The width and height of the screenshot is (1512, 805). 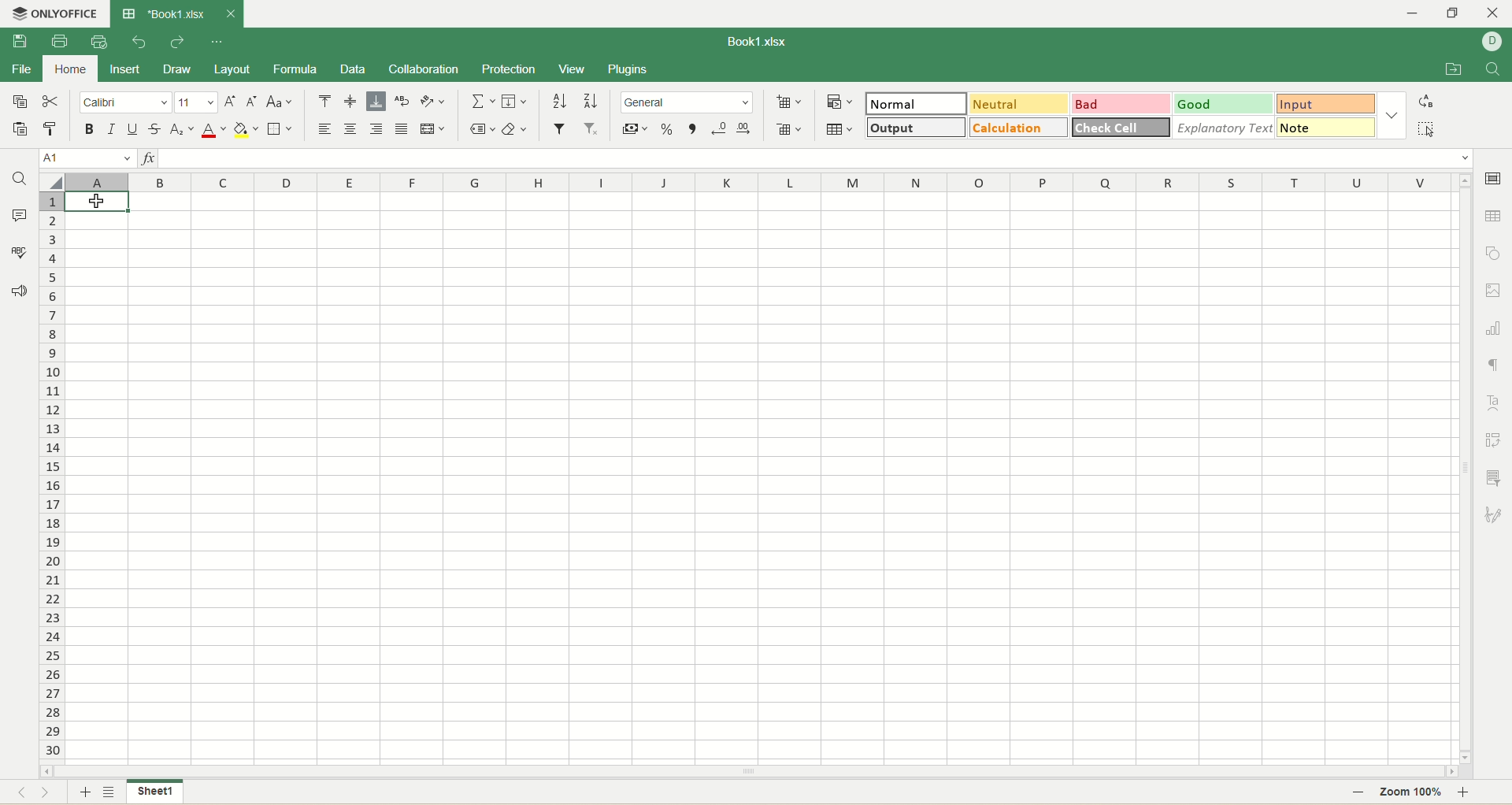 I want to click on undo, so click(x=136, y=43).